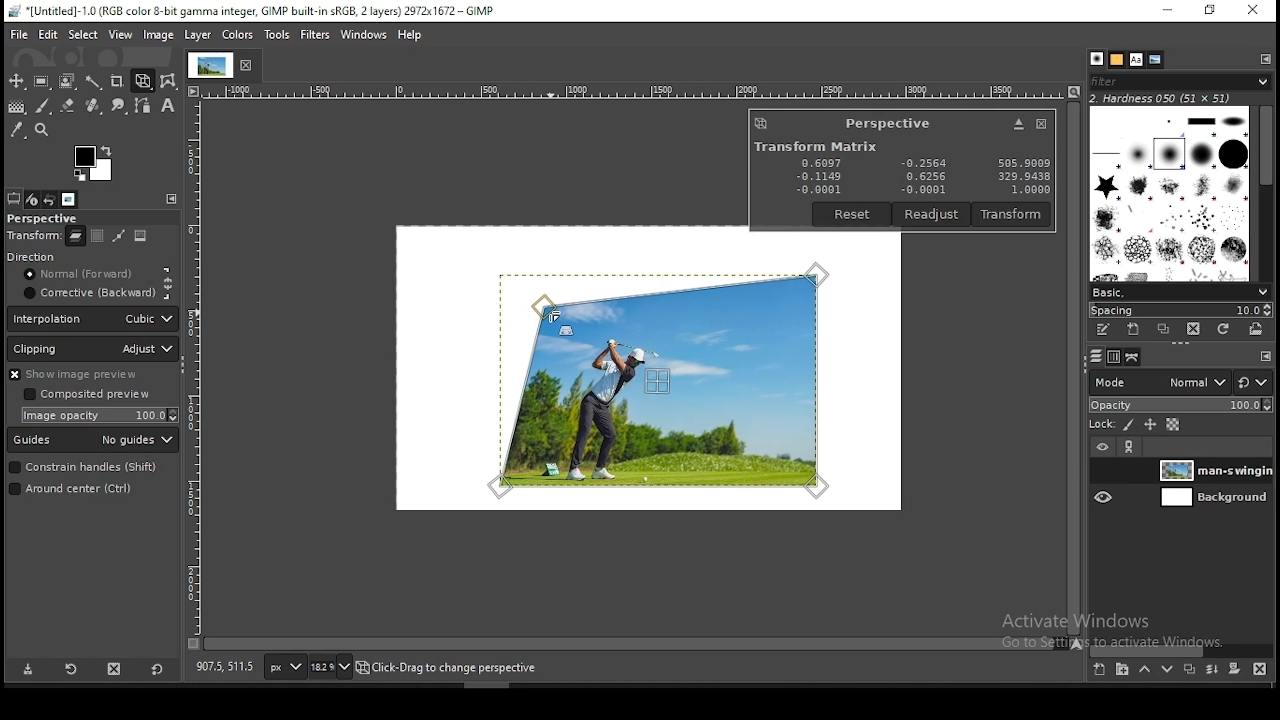 The image size is (1280, 720). I want to click on edit this brush, so click(1105, 333).